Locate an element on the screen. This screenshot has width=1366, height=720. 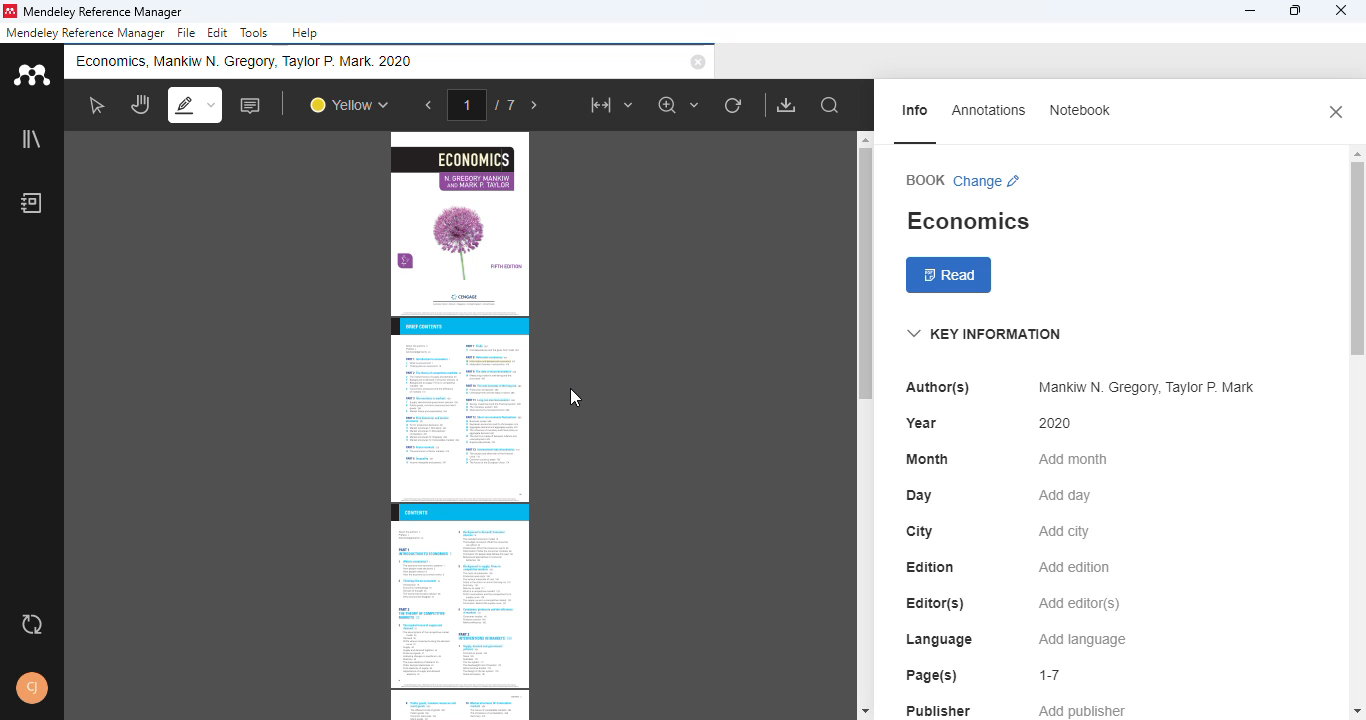
author(s) is located at coordinates (938, 387).